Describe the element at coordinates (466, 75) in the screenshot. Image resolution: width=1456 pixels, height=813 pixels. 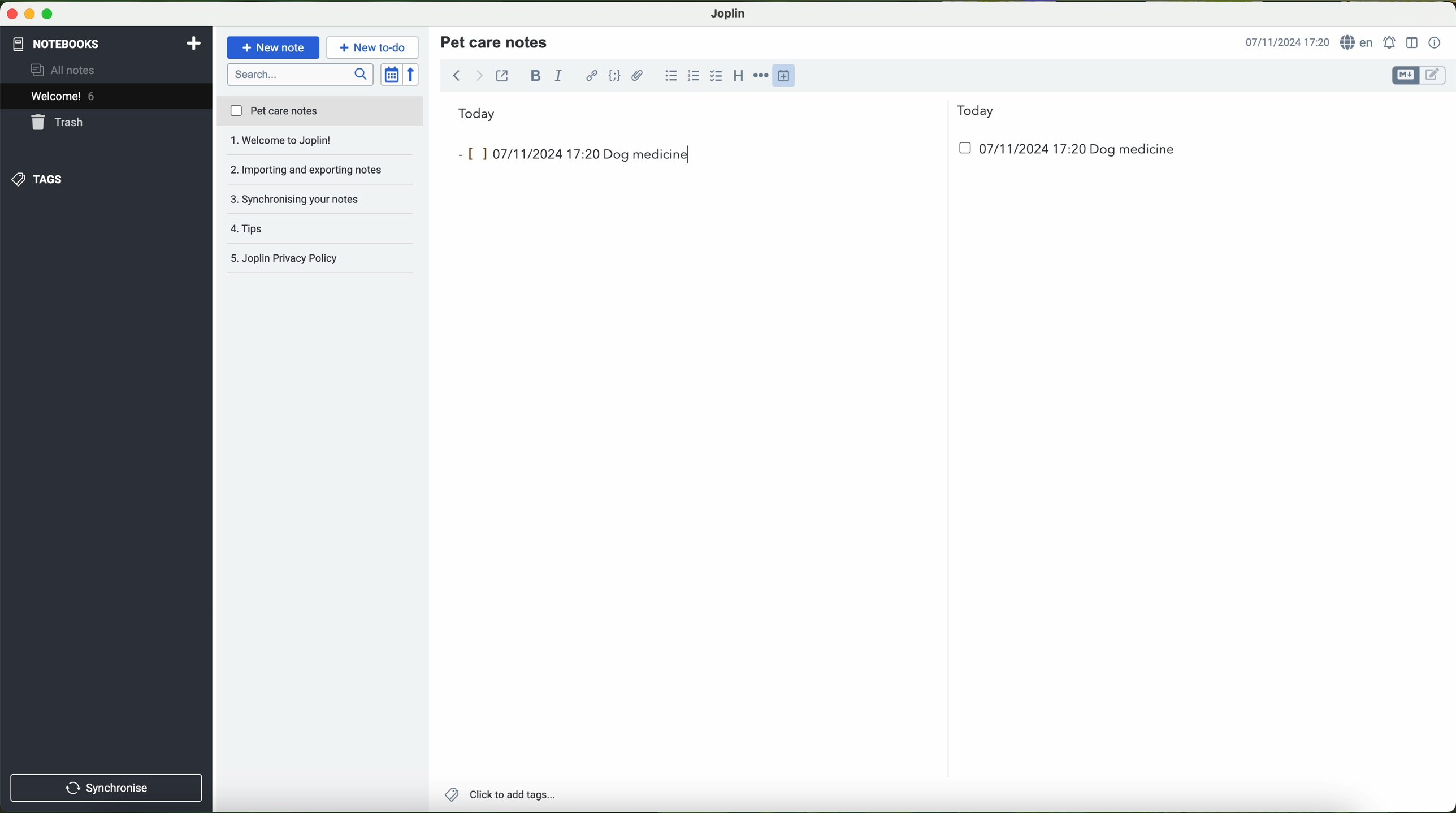
I see `navigation arrows` at that location.